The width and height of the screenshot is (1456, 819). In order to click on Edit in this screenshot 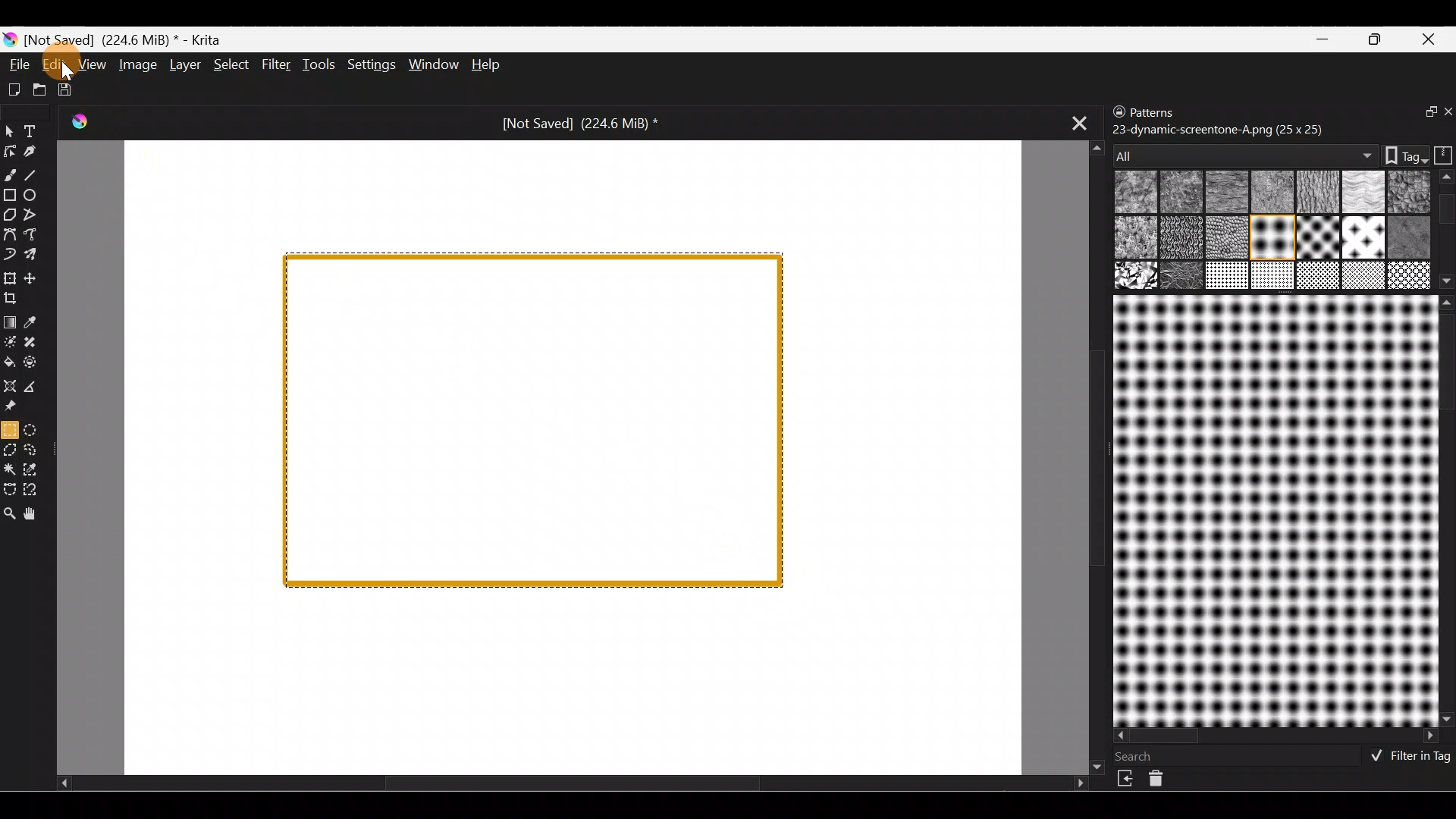, I will do `click(57, 65)`.